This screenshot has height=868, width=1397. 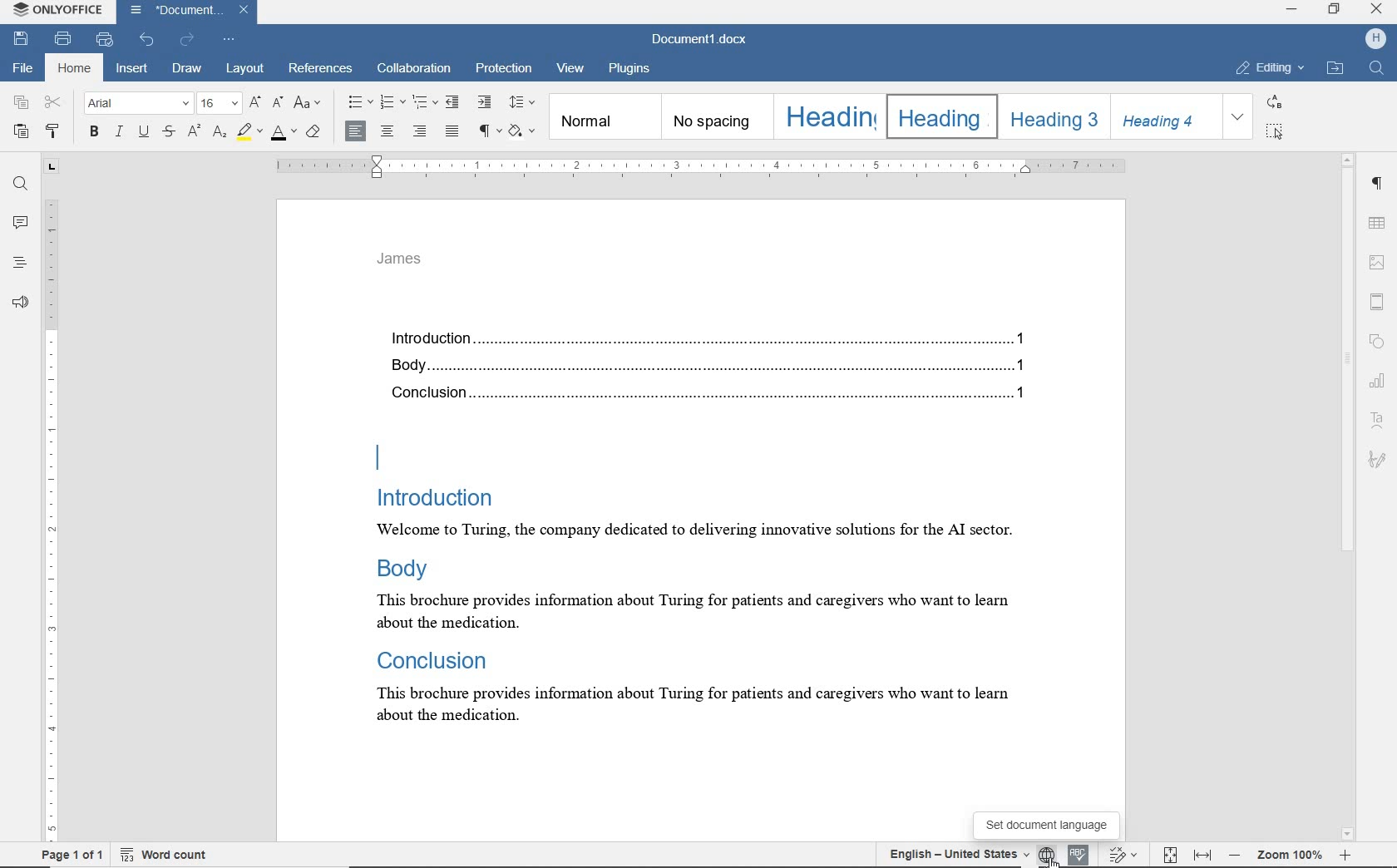 I want to click on highlight color, so click(x=249, y=132).